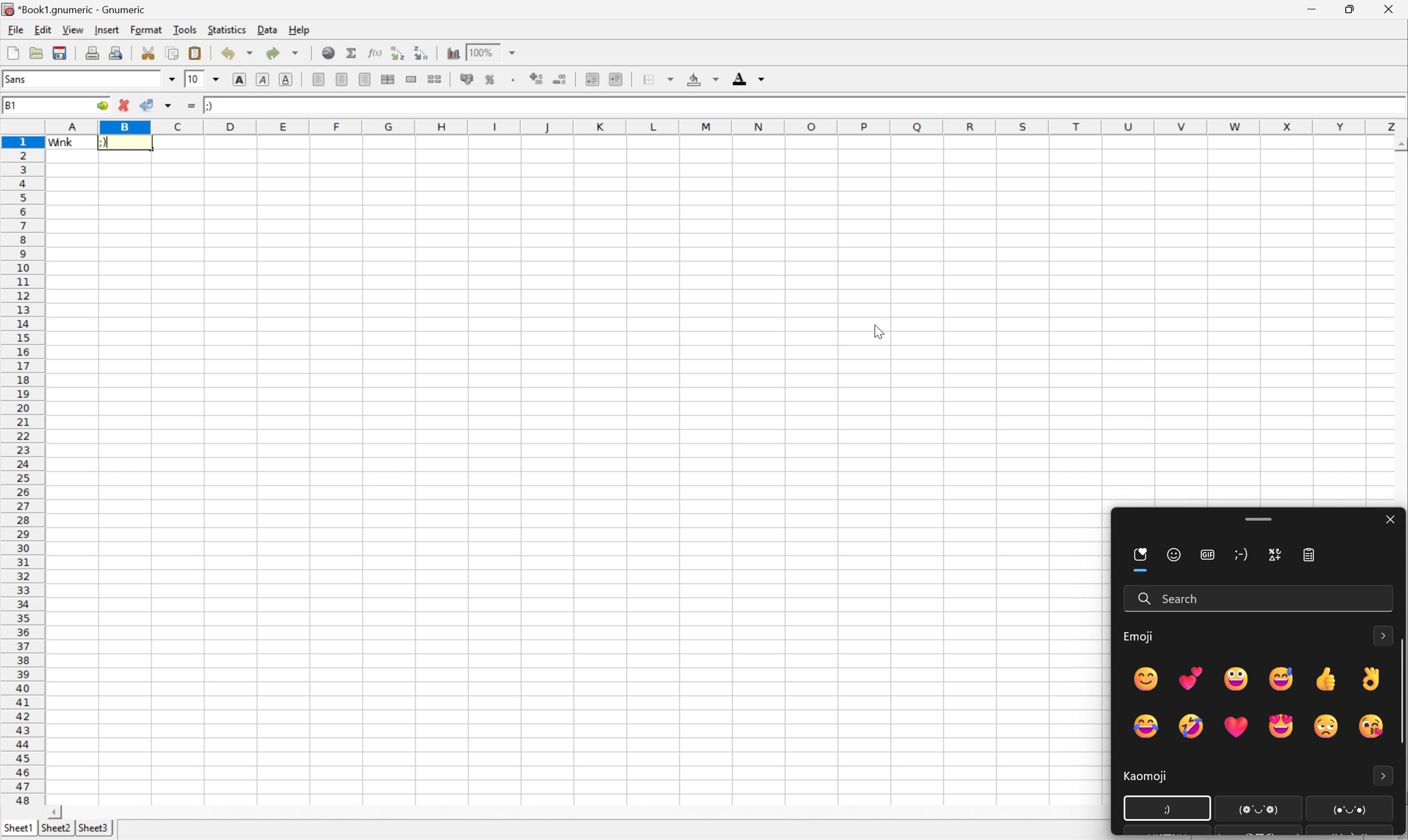 This screenshot has width=1408, height=840. I want to click on column names, so click(722, 126).